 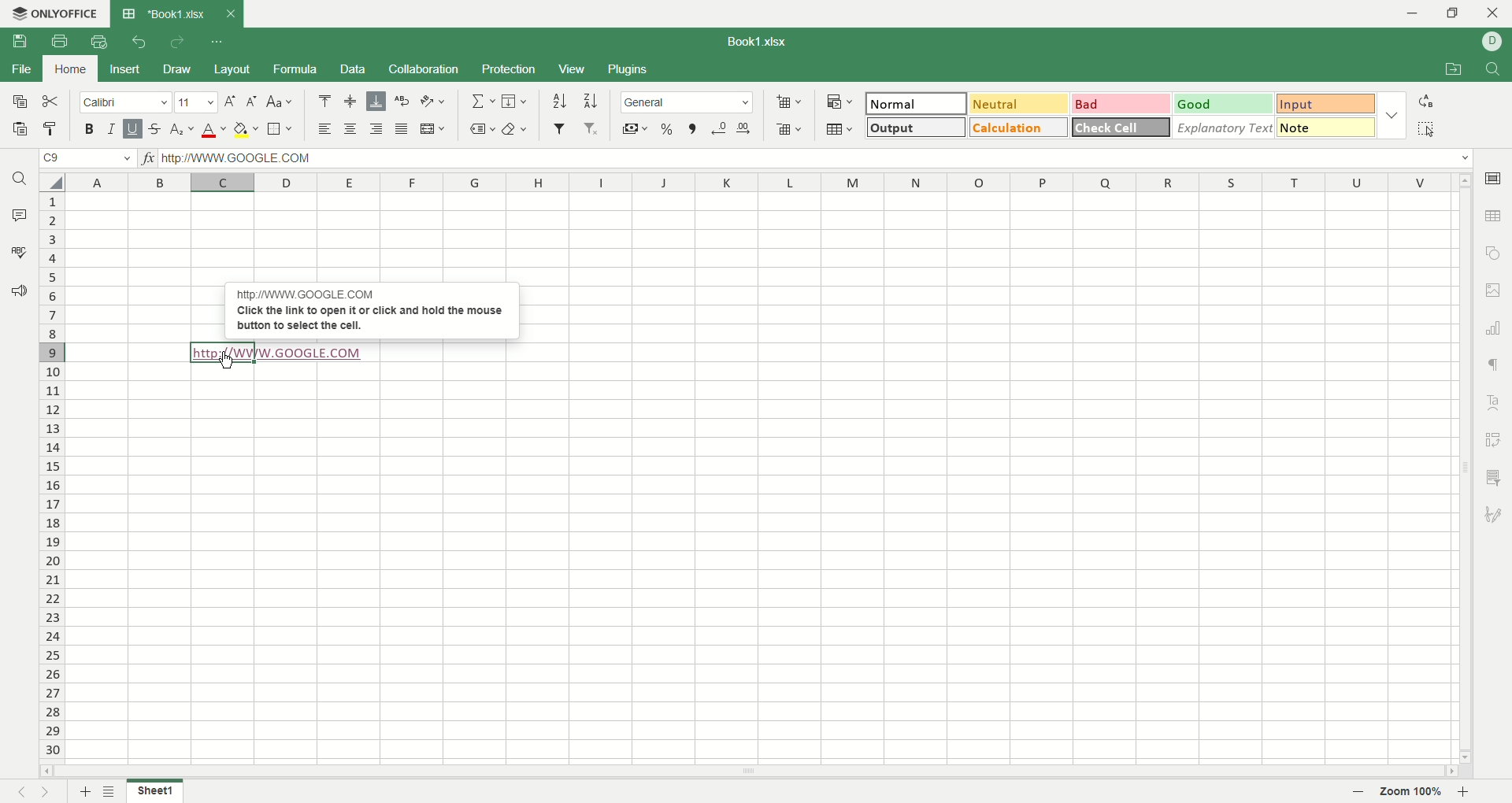 I want to click on file, so click(x=22, y=72).